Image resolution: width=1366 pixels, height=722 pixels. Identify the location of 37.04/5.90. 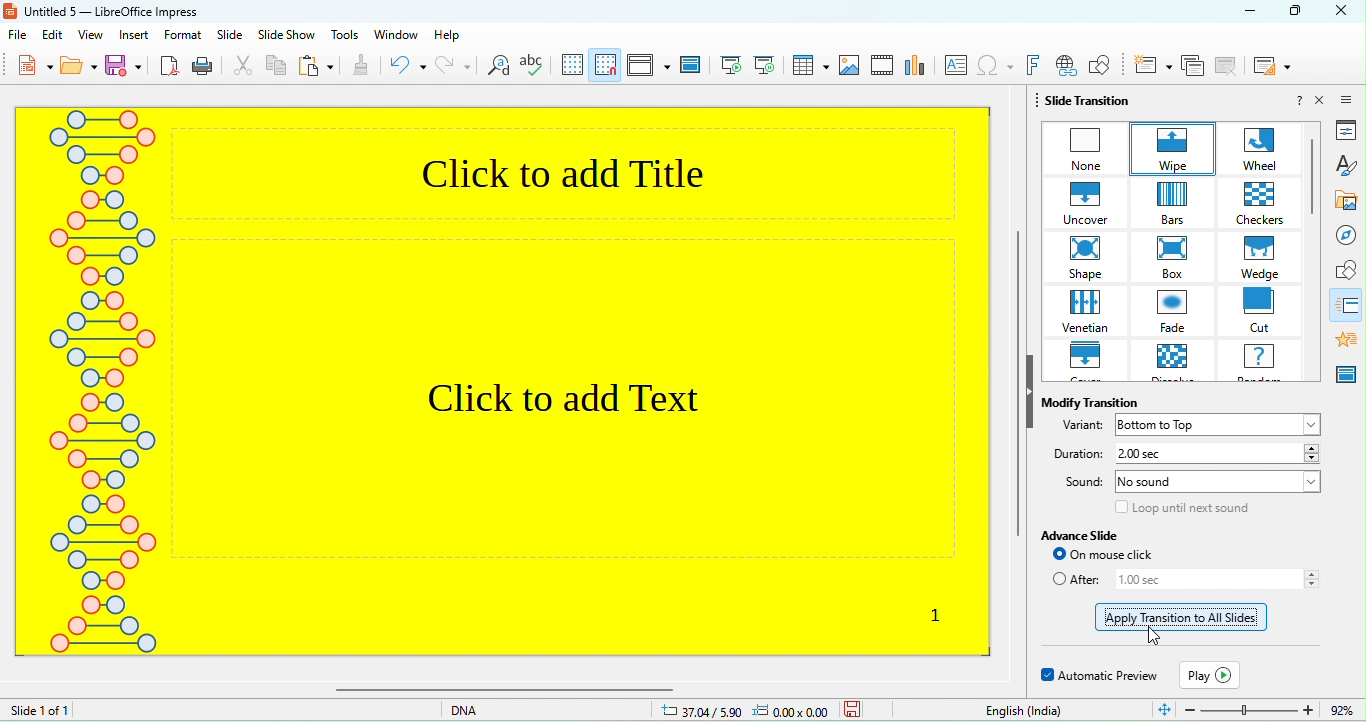
(702, 709).